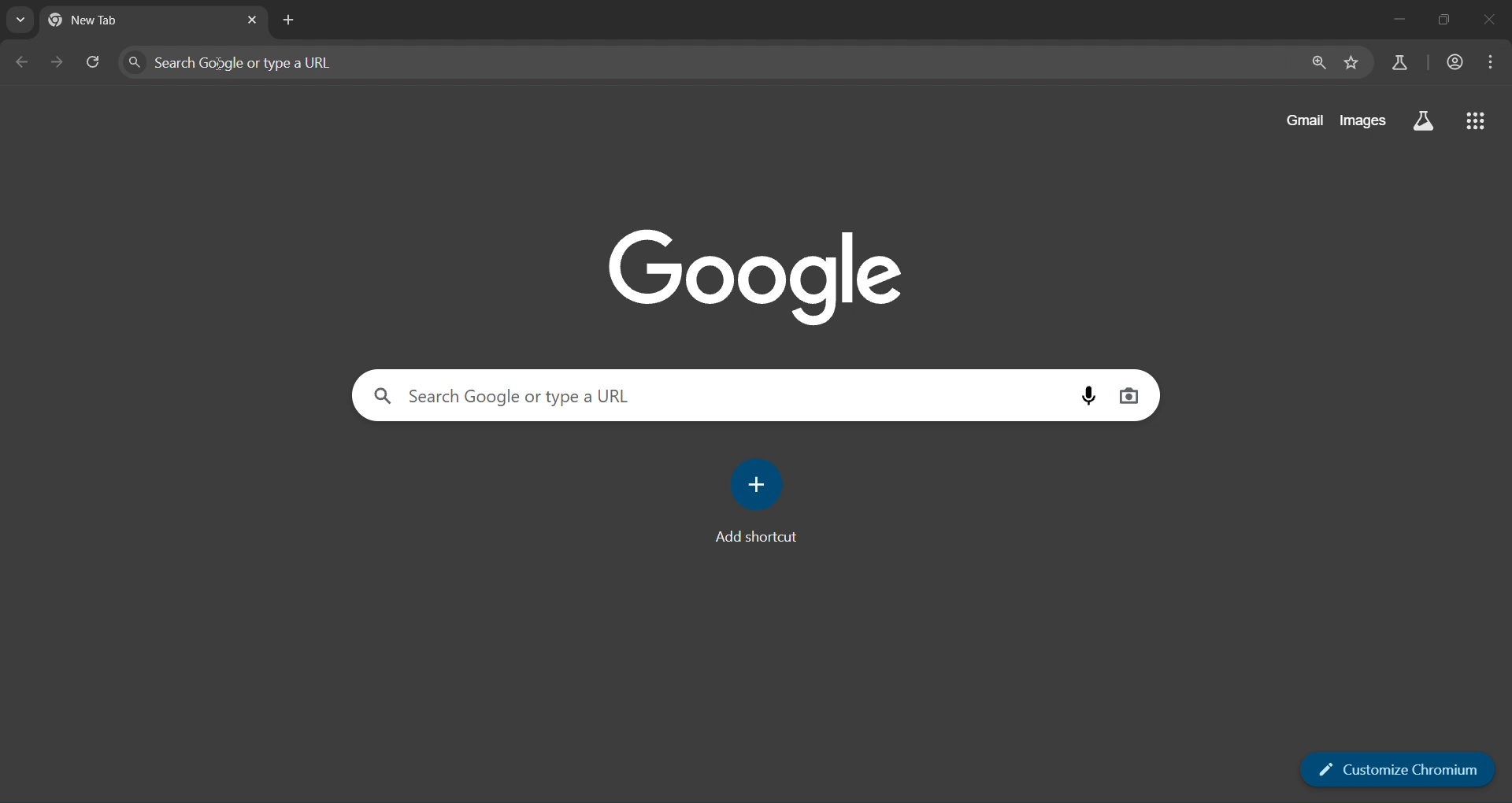  Describe the element at coordinates (769, 274) in the screenshot. I see `image` at that location.